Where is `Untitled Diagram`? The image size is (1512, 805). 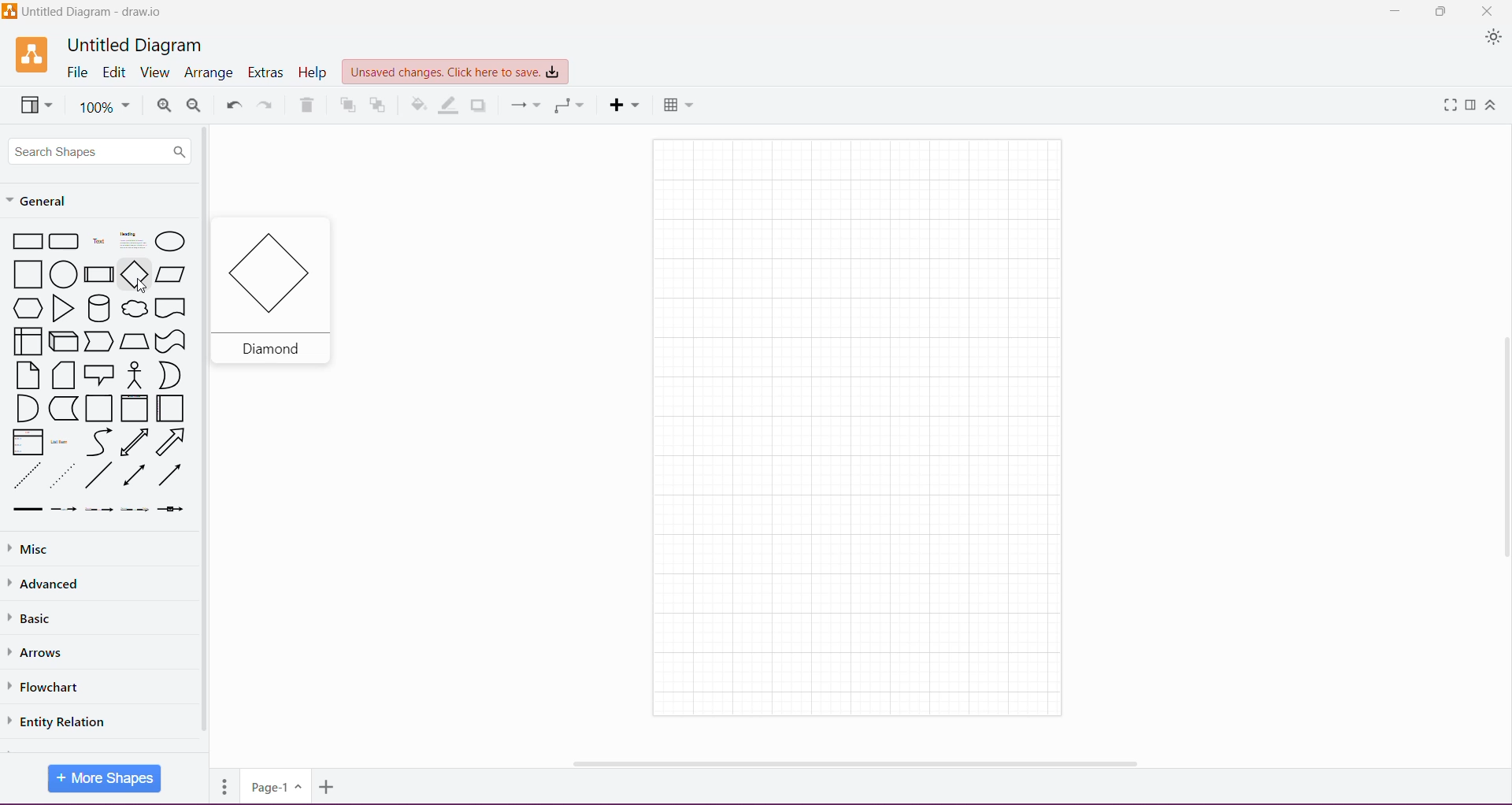
Untitled Diagram is located at coordinates (135, 43).